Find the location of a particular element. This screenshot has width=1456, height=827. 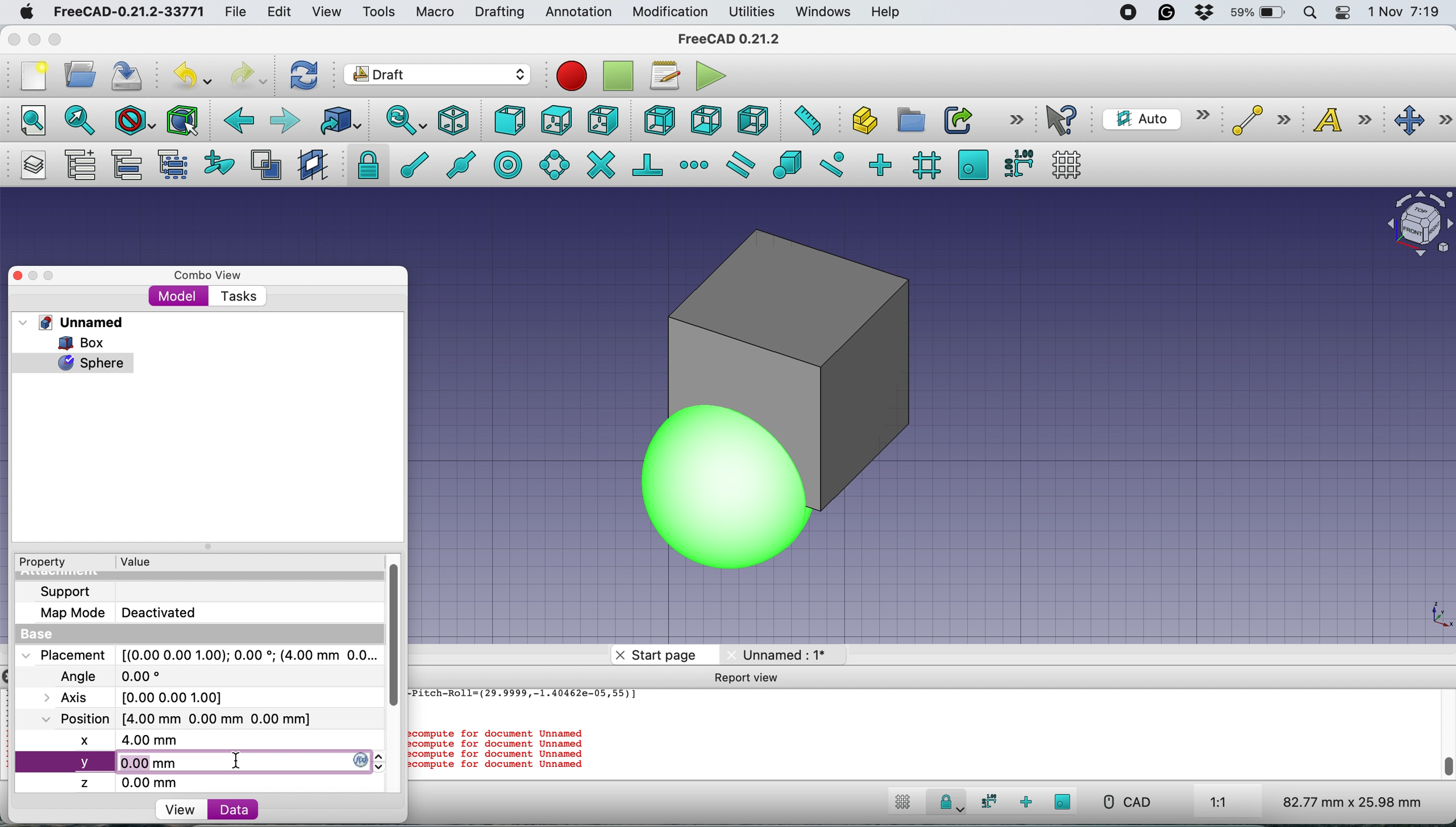

minimise is located at coordinates (33, 39).